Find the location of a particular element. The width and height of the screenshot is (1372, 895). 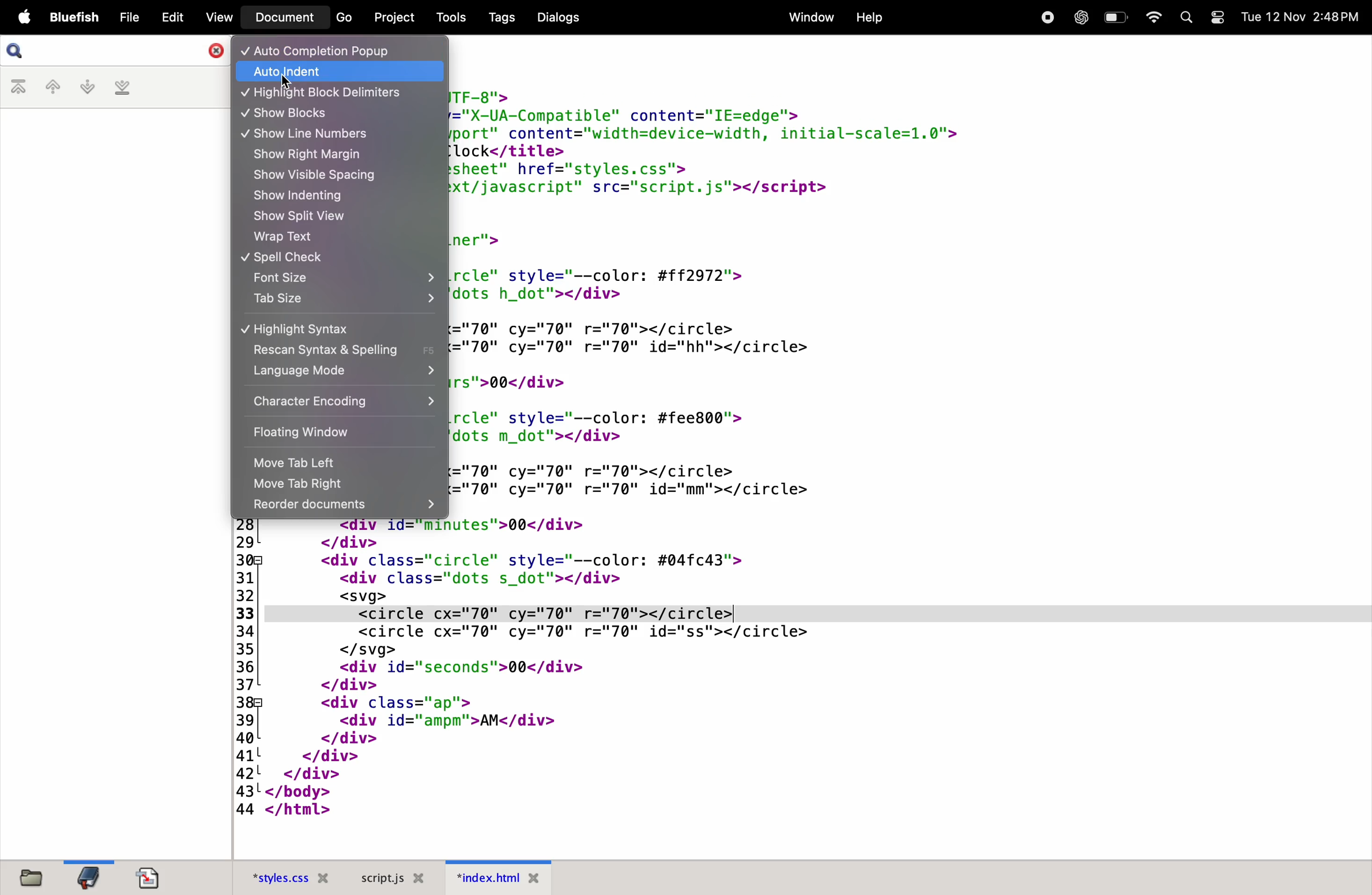

tools is located at coordinates (450, 17).